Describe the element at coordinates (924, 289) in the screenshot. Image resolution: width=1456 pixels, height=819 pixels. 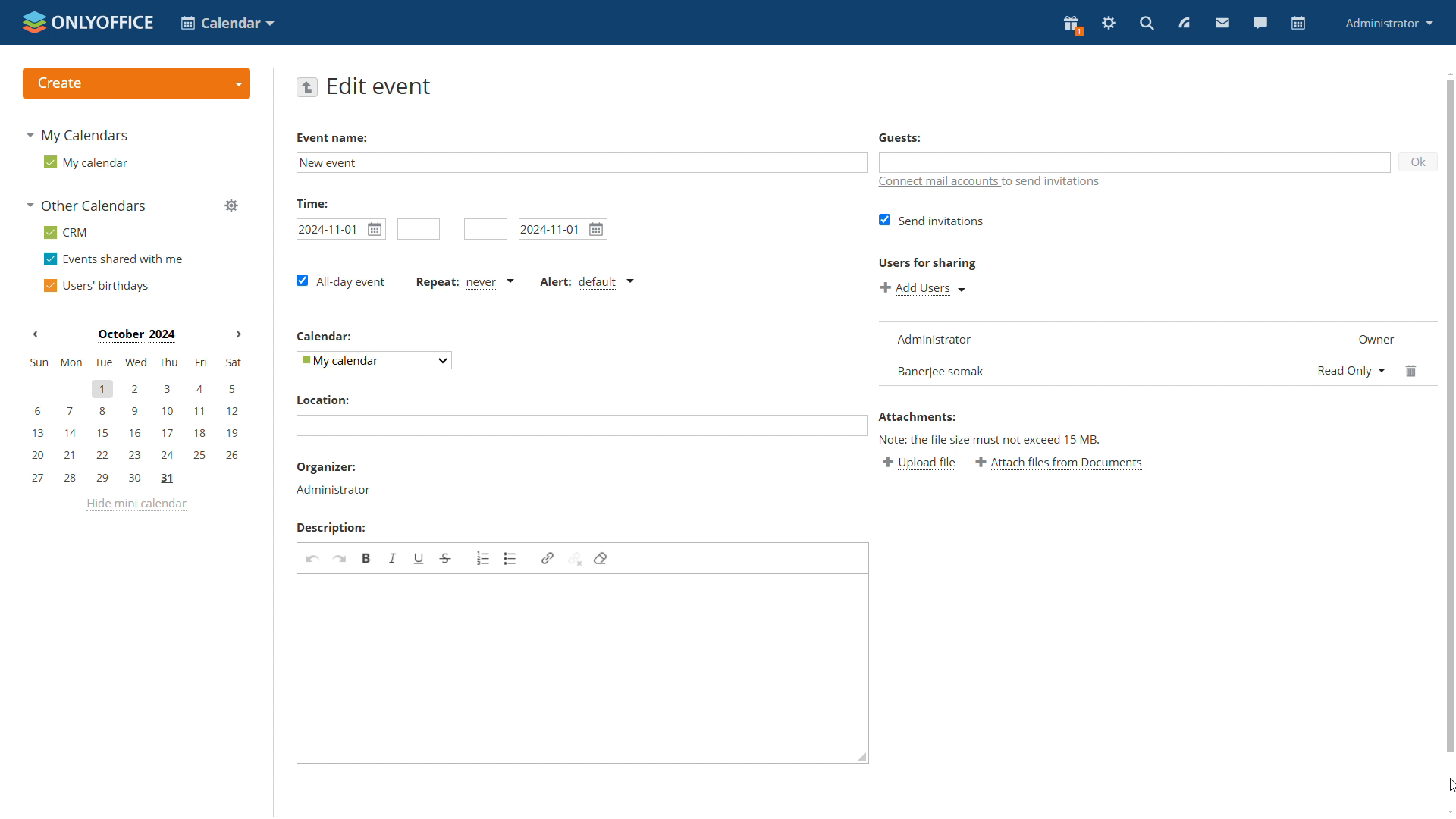
I see `add users` at that location.